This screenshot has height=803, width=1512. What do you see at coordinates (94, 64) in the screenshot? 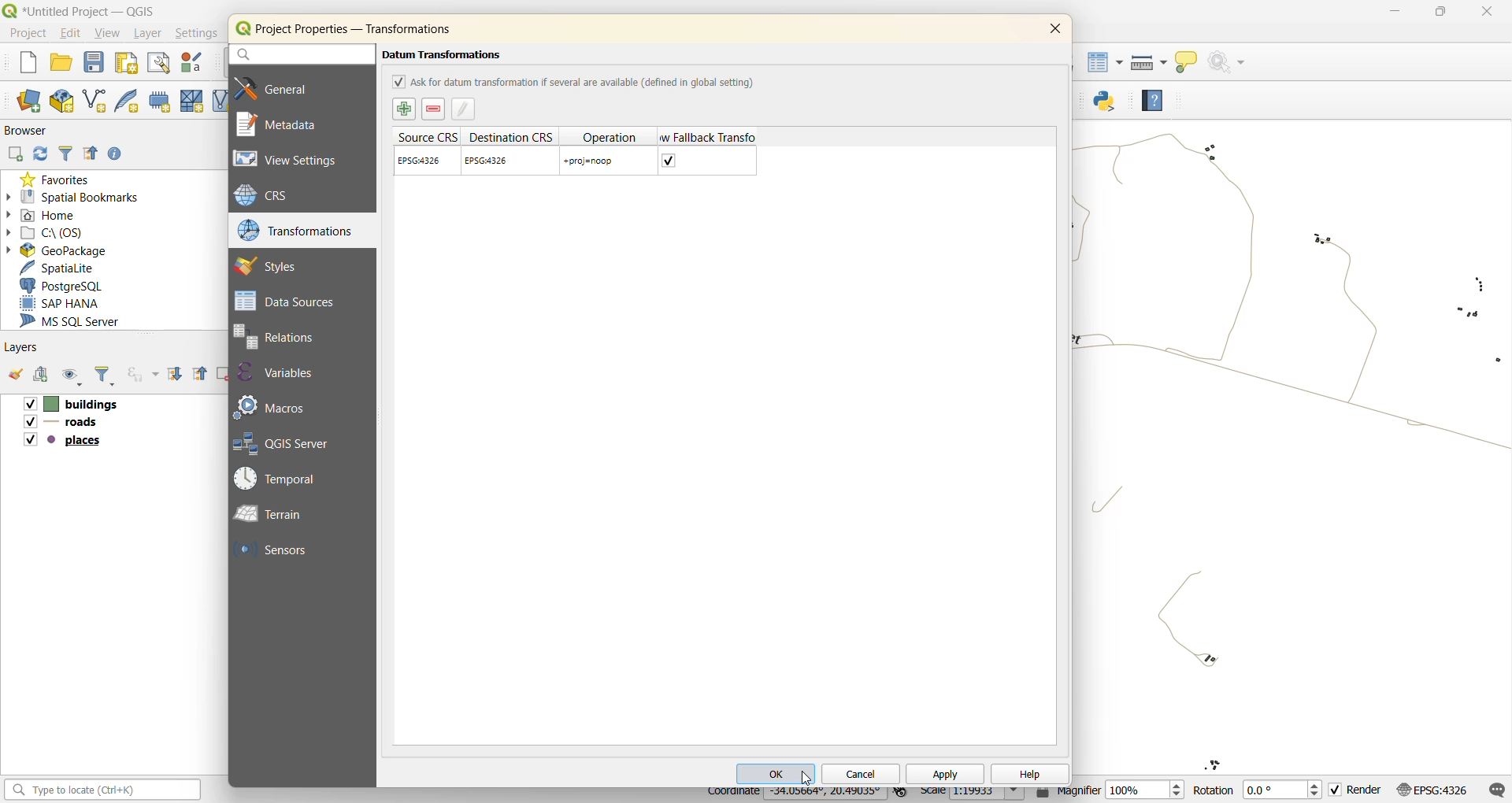
I see `save` at bounding box center [94, 64].